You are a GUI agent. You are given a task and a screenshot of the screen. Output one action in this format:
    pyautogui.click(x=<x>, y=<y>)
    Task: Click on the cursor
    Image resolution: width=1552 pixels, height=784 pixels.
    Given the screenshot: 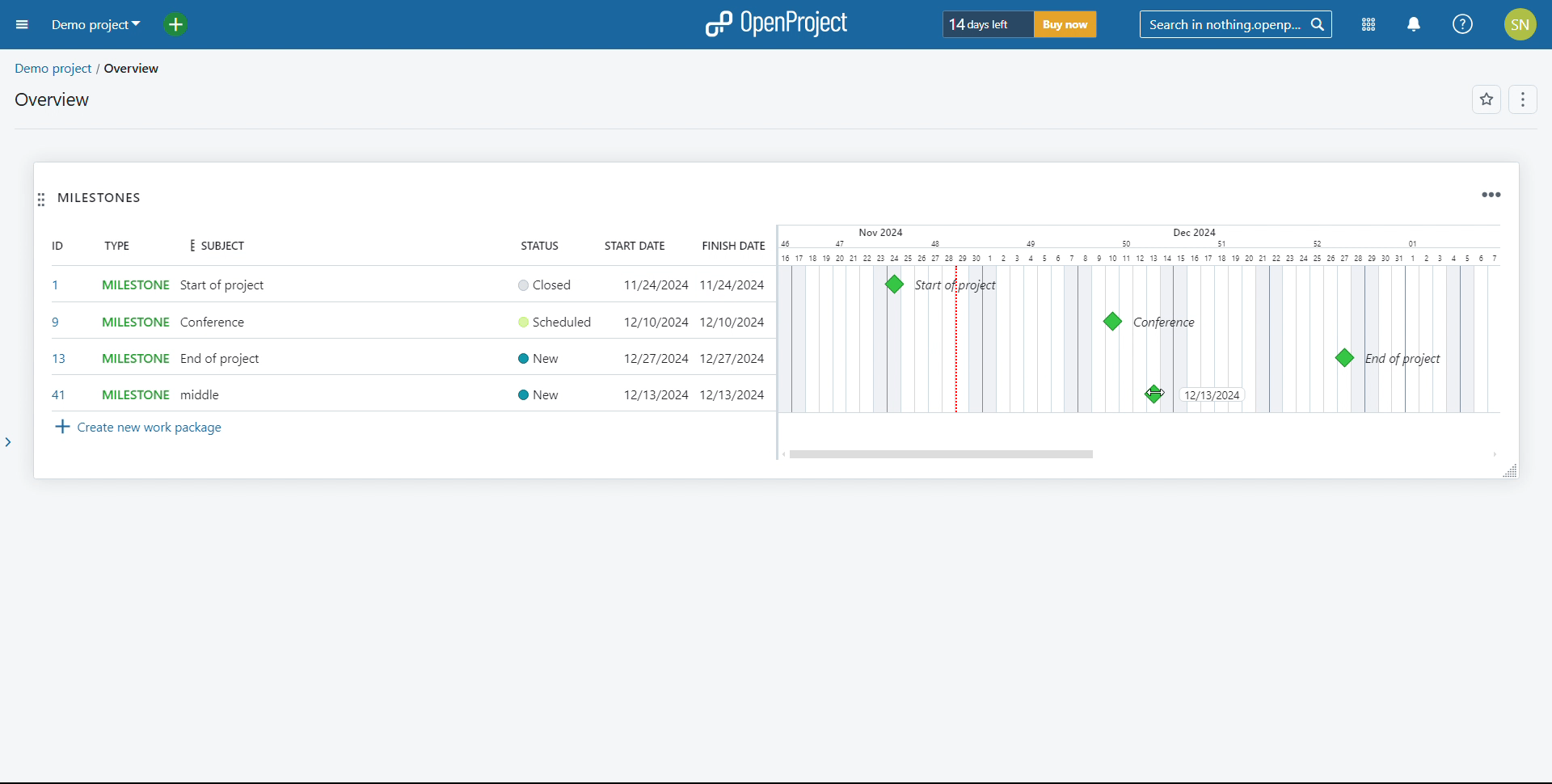 What is the action you would take?
    pyautogui.click(x=1154, y=393)
    